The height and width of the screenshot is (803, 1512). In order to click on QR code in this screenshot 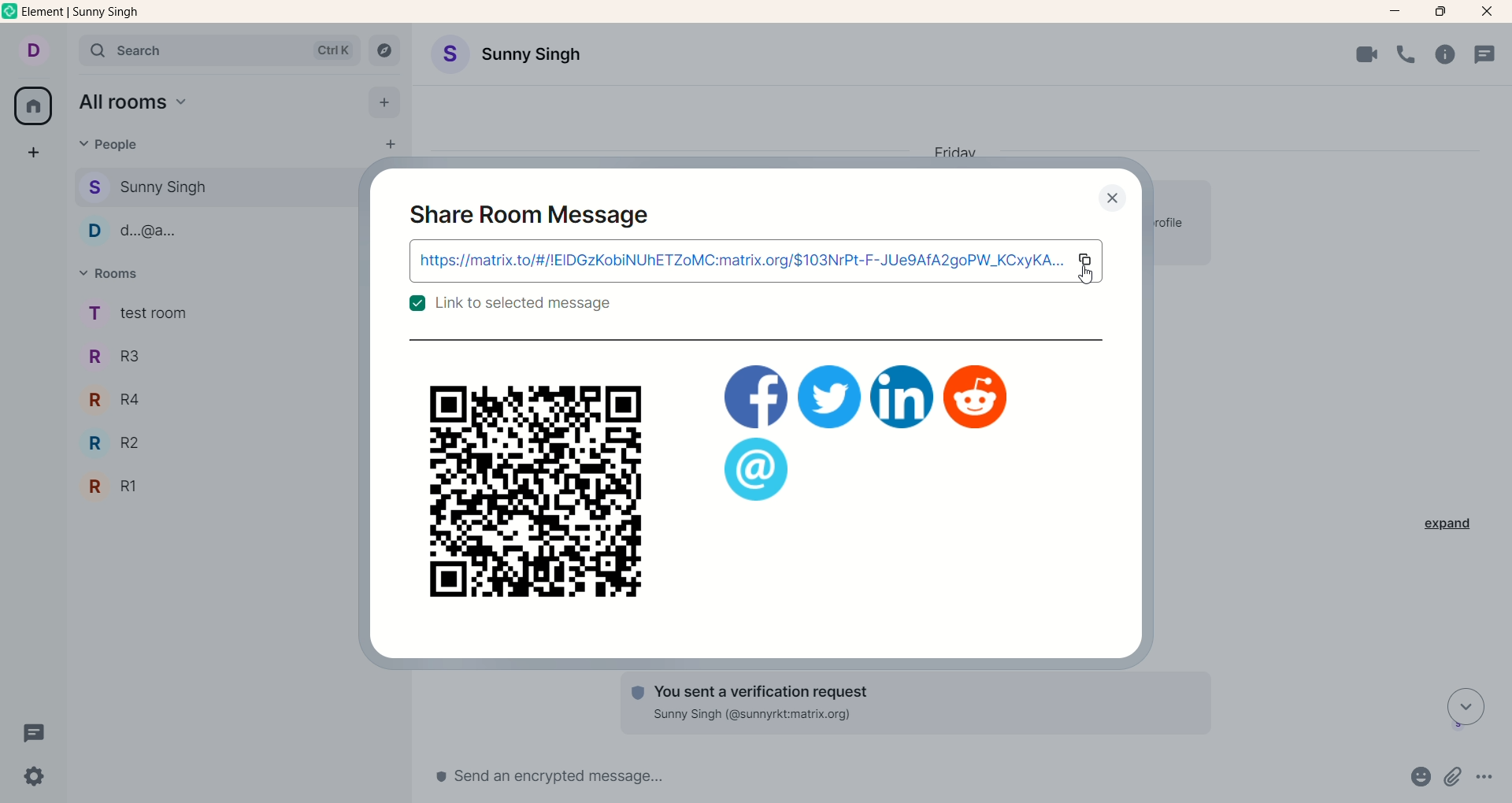, I will do `click(531, 492)`.